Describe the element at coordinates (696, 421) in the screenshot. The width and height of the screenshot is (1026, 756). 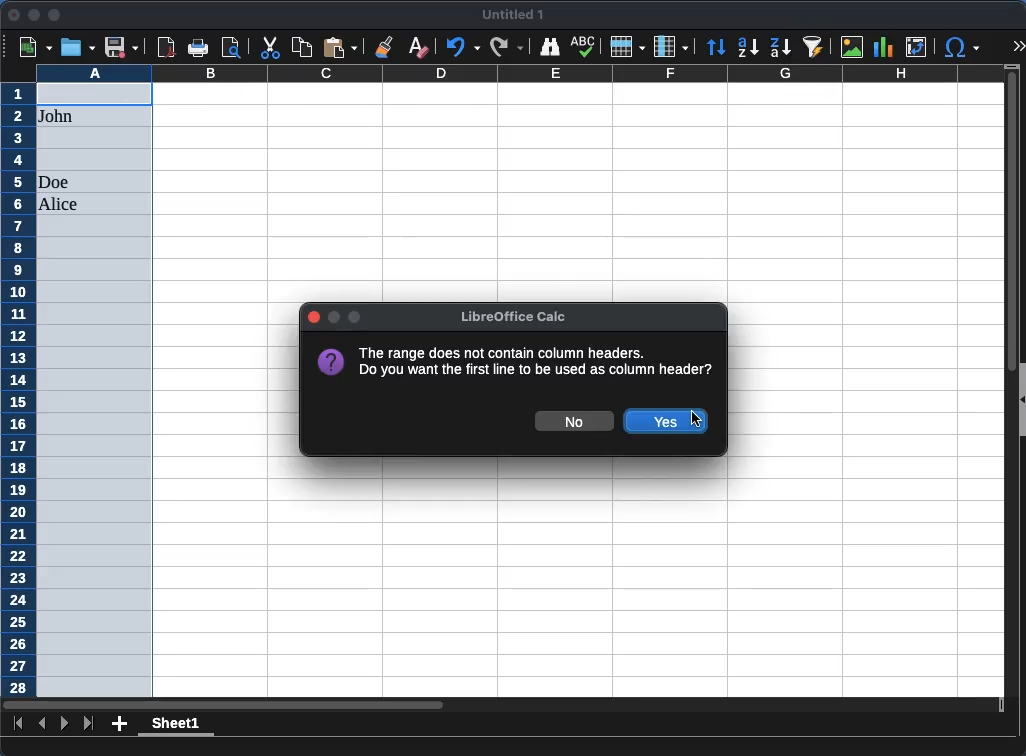
I see `cursor` at that location.